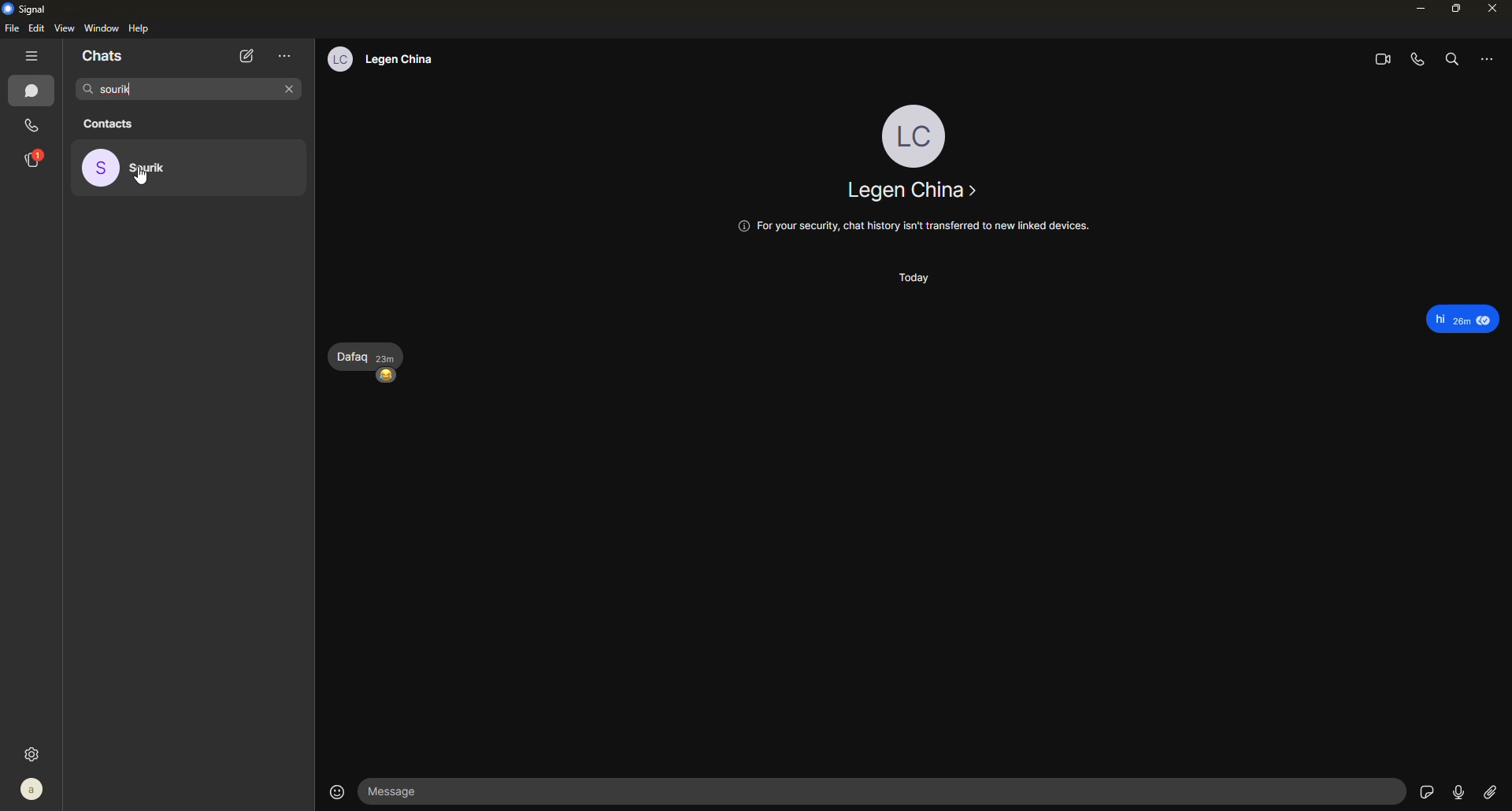  What do you see at coordinates (1495, 791) in the screenshot?
I see `attach` at bounding box center [1495, 791].